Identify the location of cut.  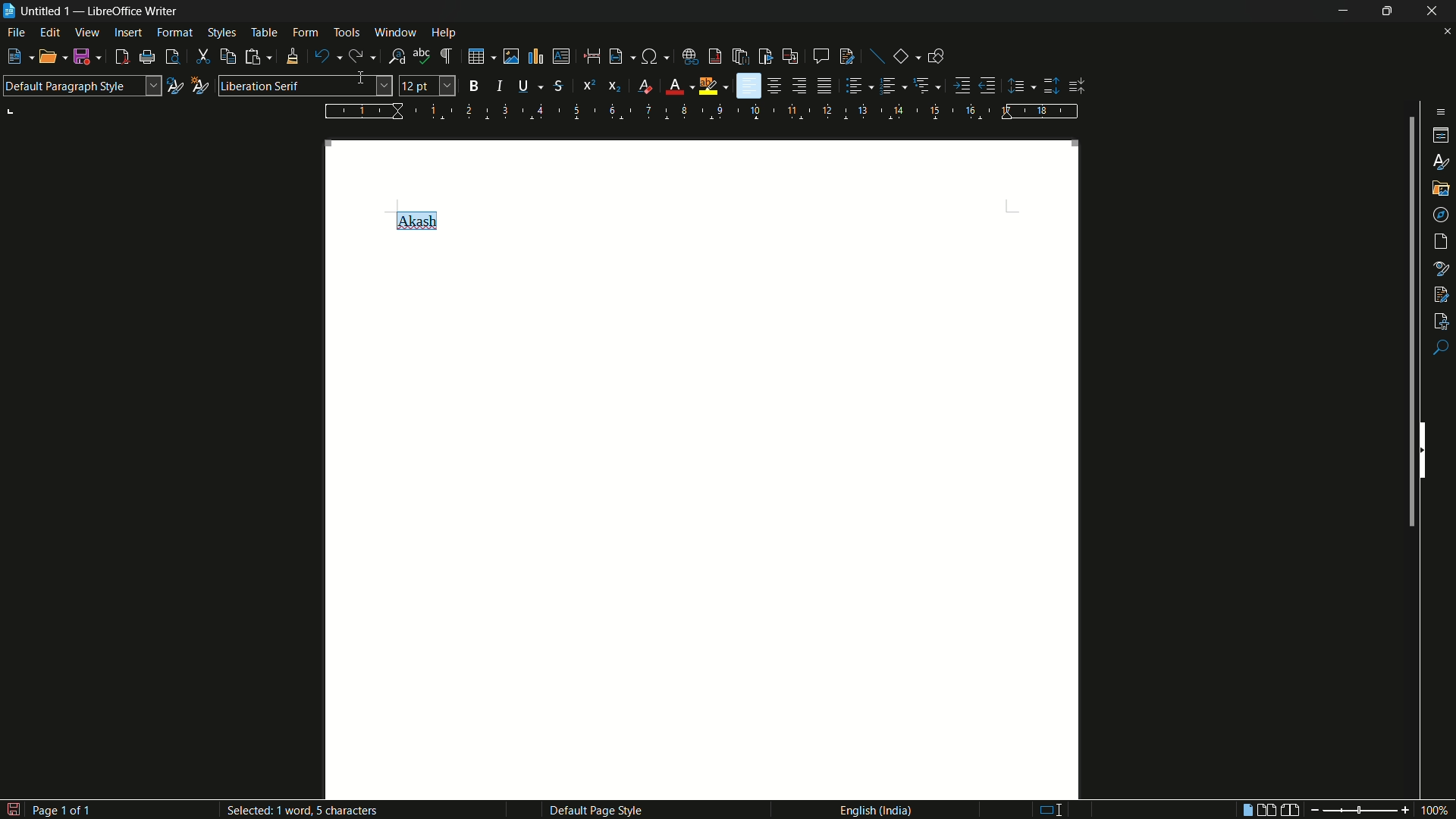
(203, 58).